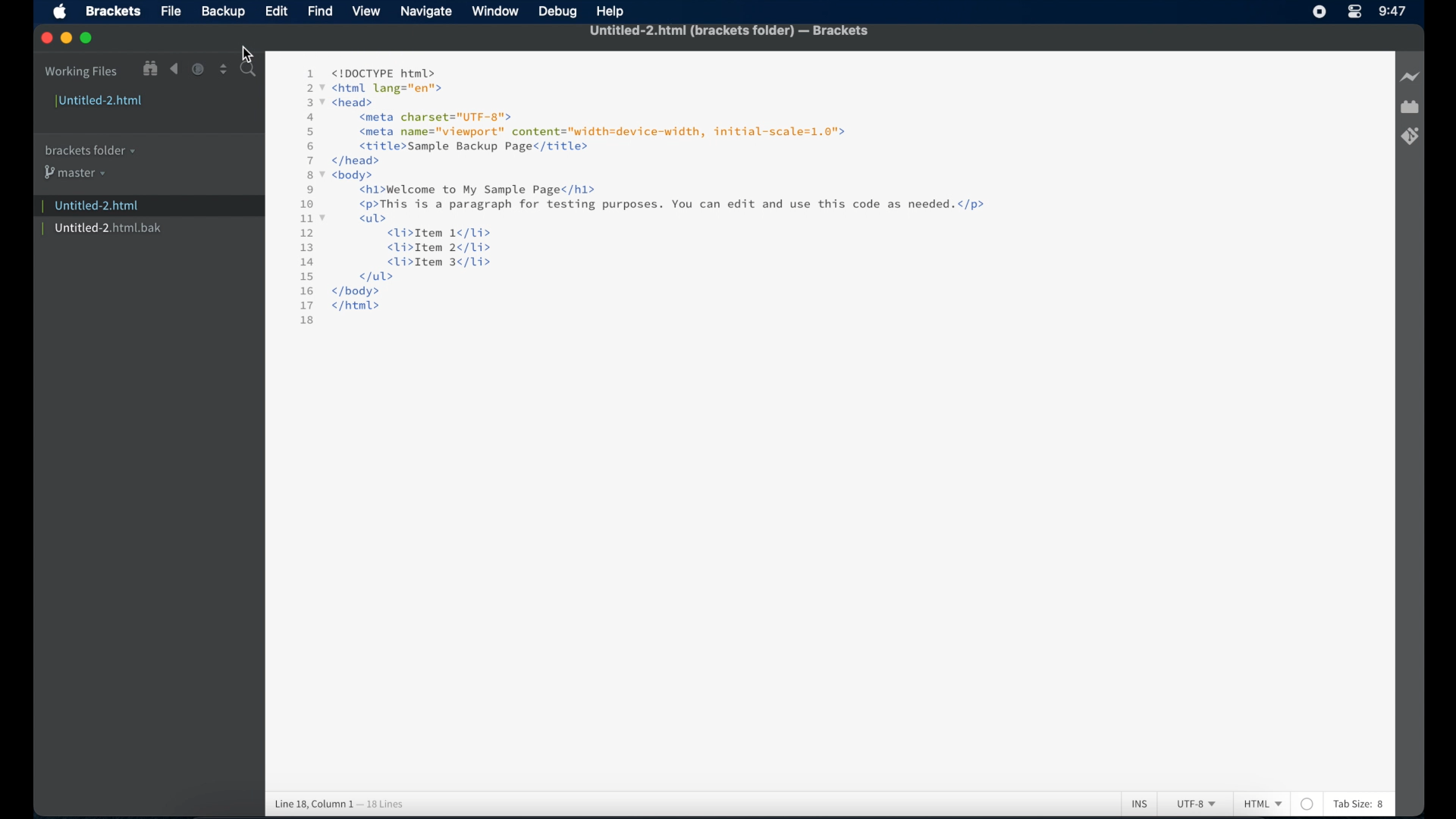 The image size is (1456, 819). What do you see at coordinates (1140, 805) in the screenshot?
I see `ins` at bounding box center [1140, 805].